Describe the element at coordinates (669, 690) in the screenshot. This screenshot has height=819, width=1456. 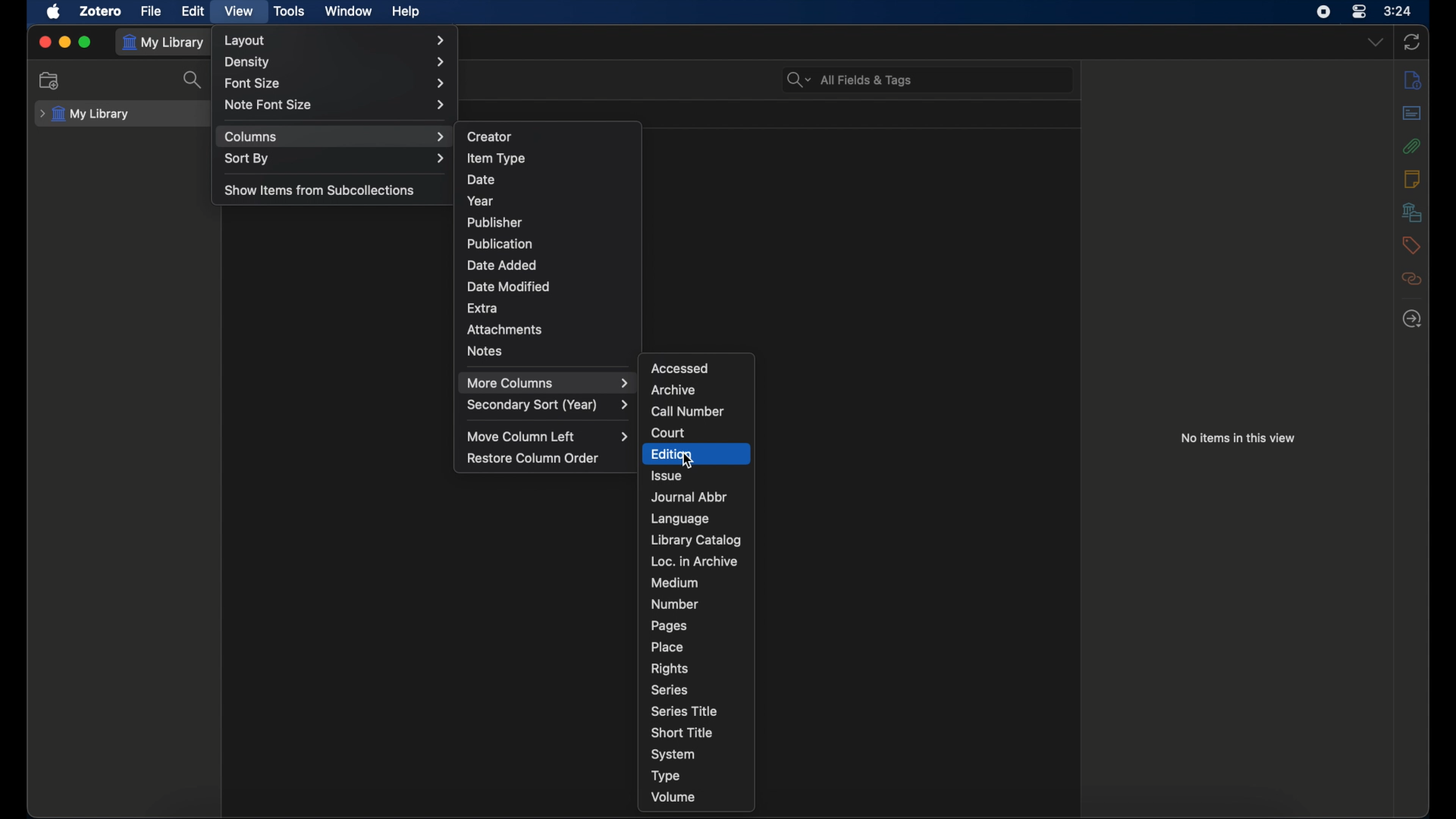
I see `series` at that location.